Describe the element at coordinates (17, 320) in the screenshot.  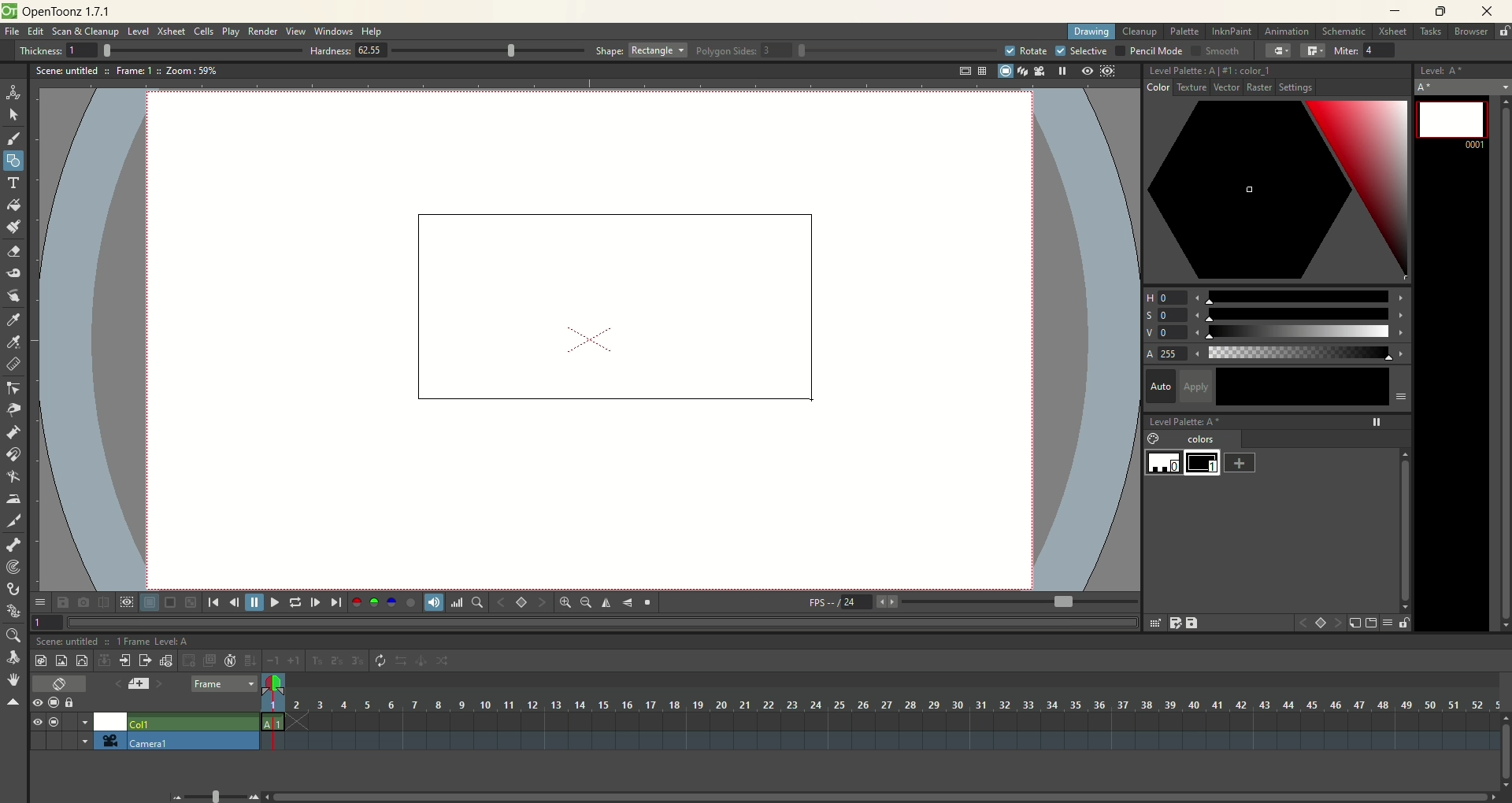
I see `style picker` at that location.